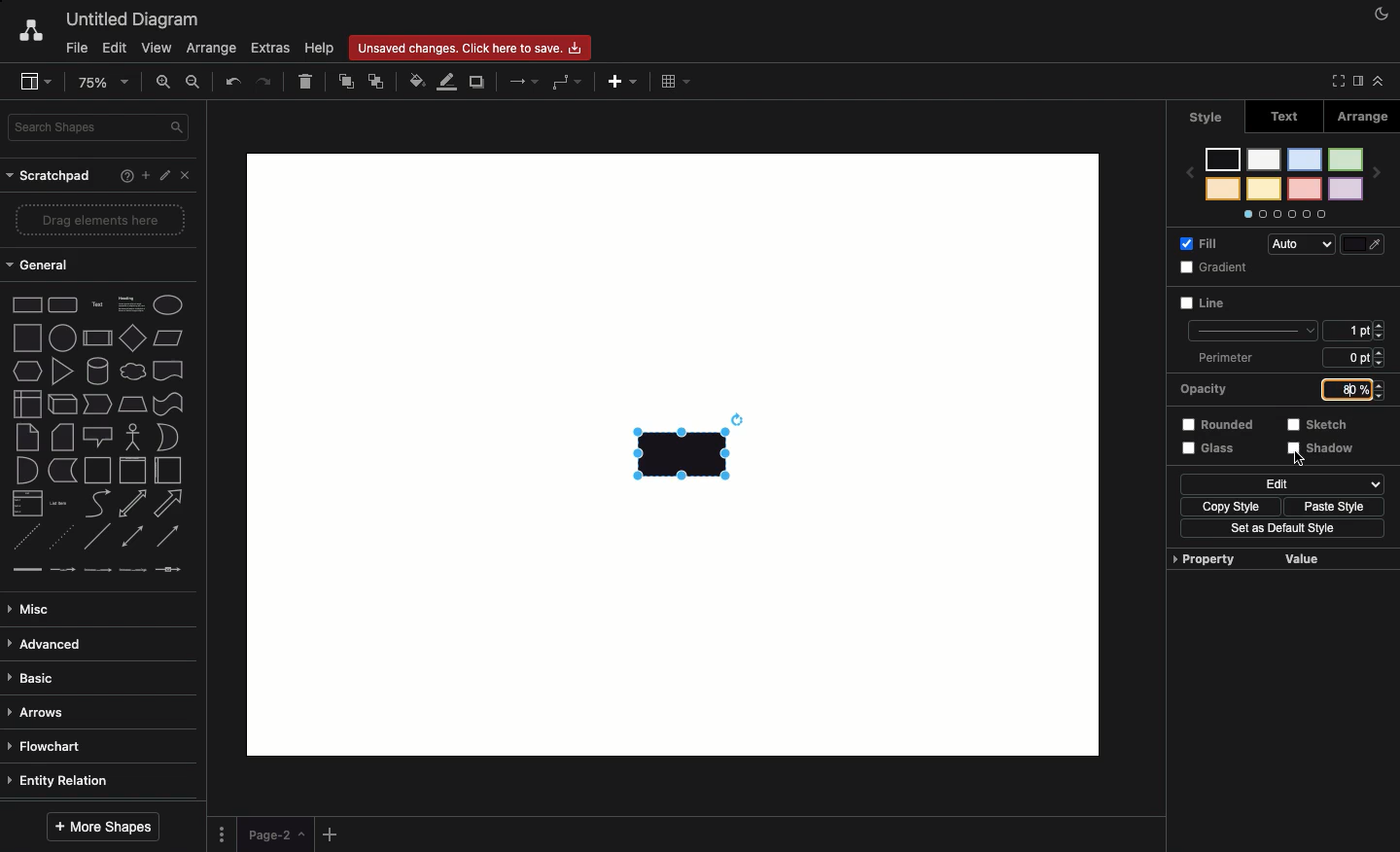  I want to click on container, so click(97, 469).